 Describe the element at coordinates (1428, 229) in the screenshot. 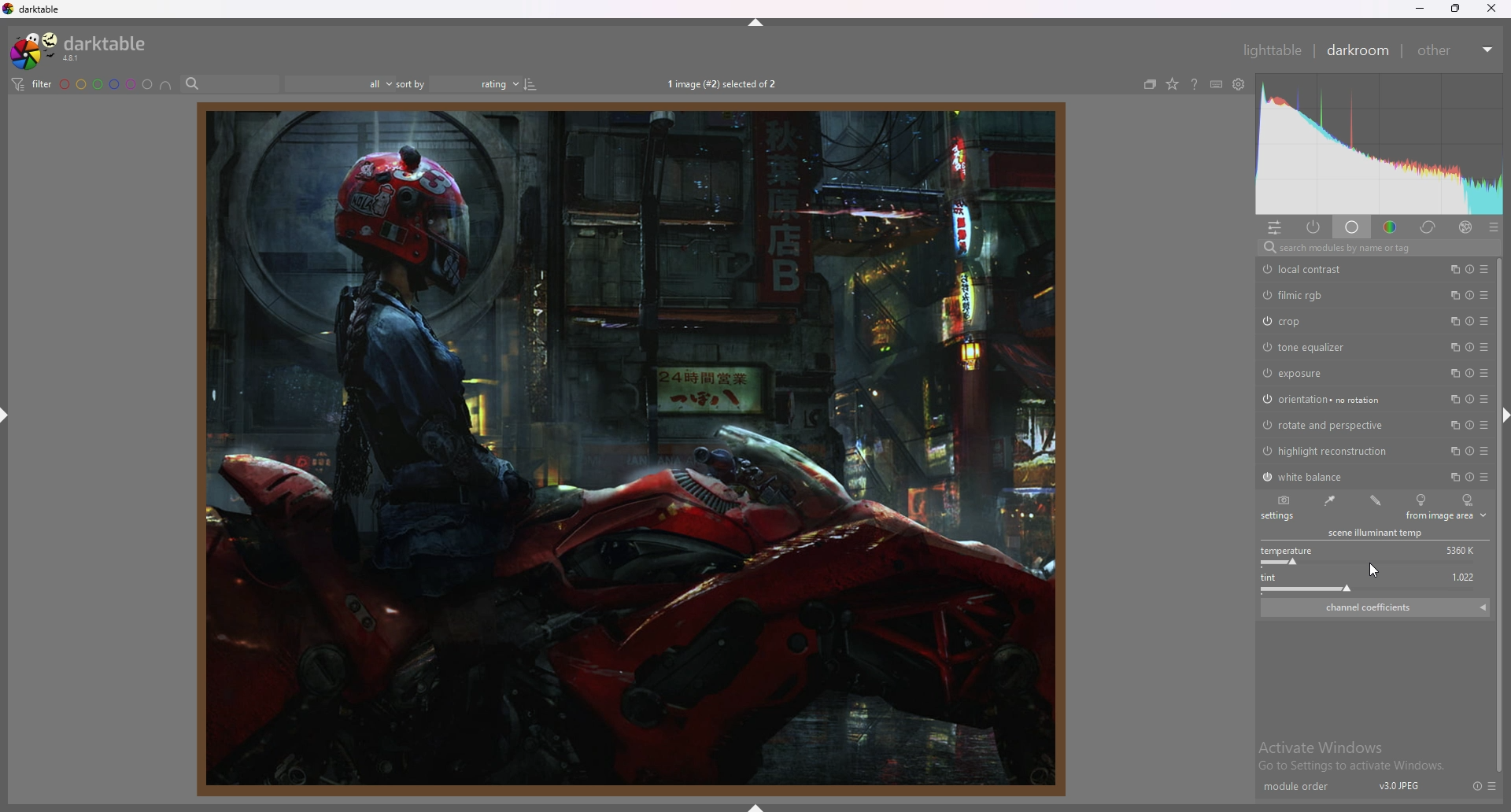

I see `correct` at that location.